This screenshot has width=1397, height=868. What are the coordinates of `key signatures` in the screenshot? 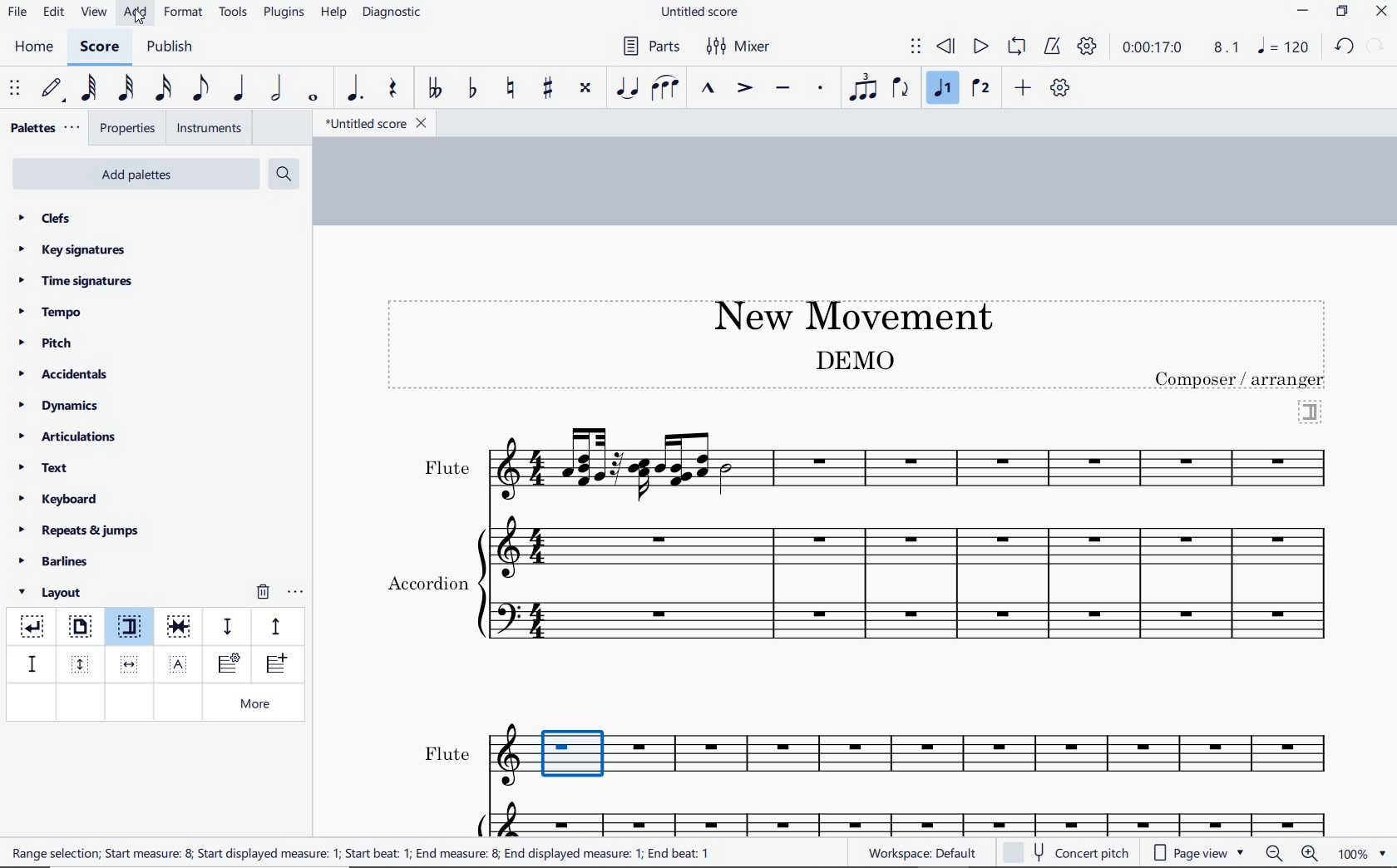 It's located at (71, 249).